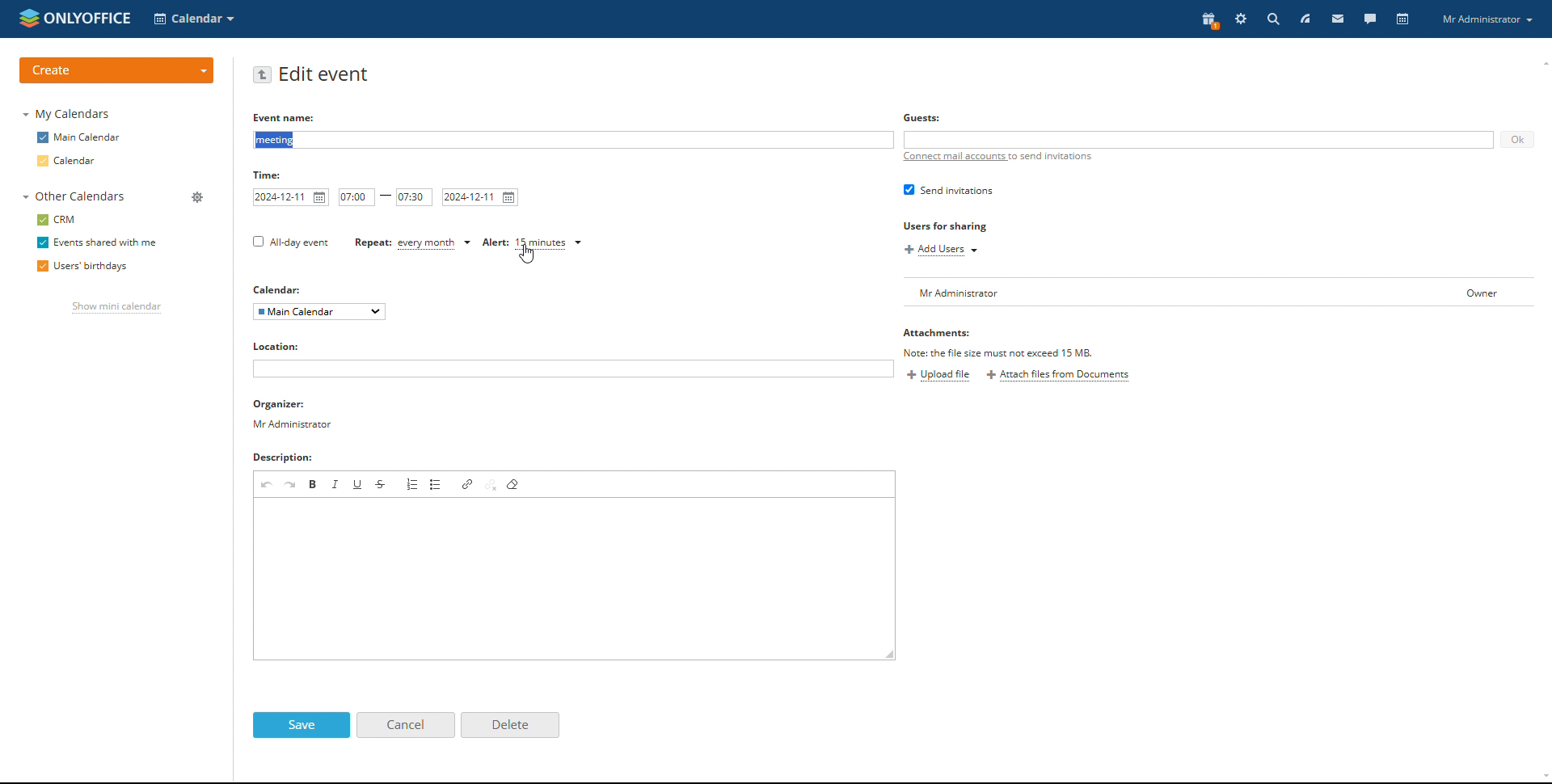 The width and height of the screenshot is (1552, 784). I want to click on add description, so click(576, 579).